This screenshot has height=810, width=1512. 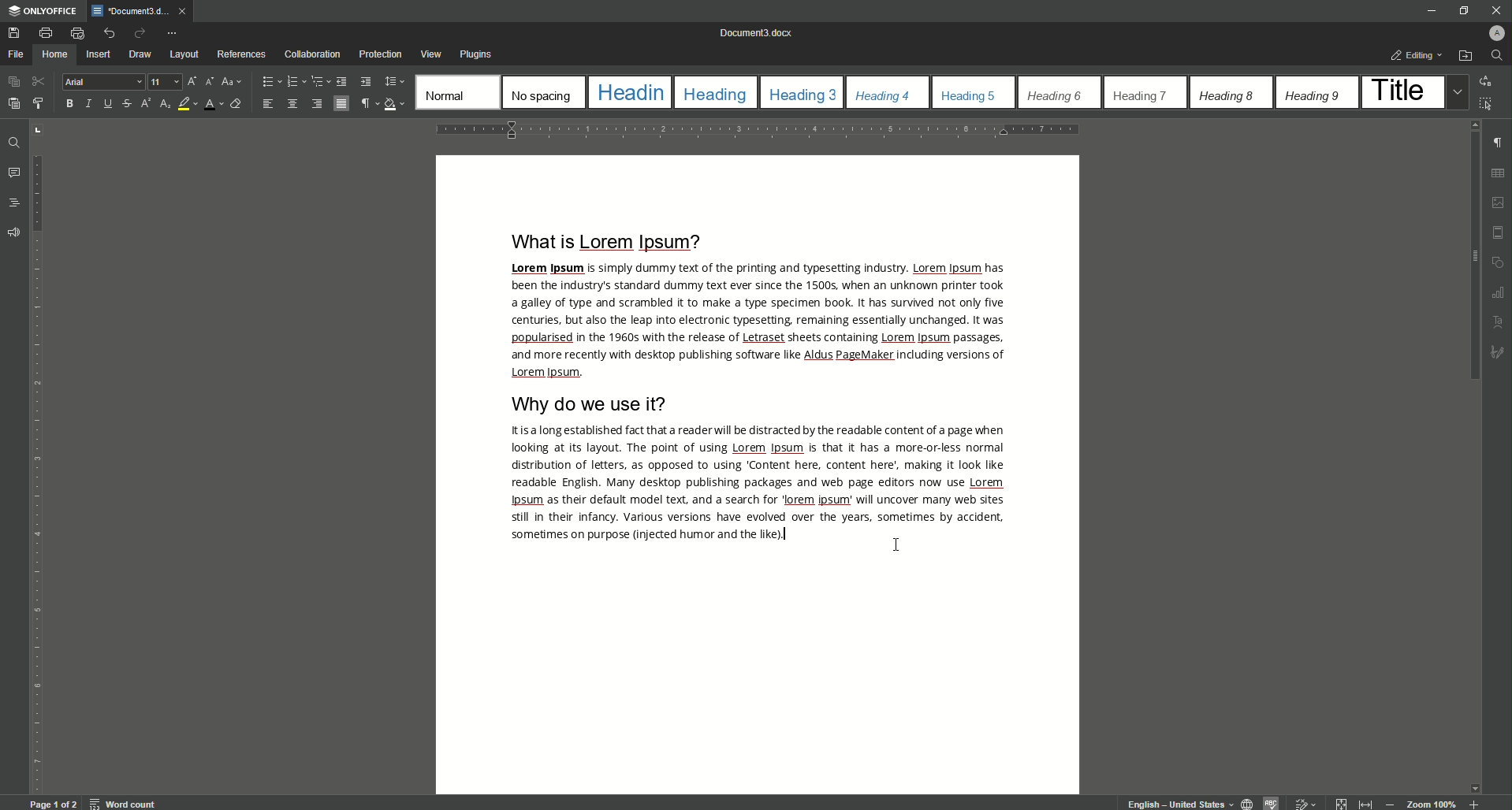 I want to click on sketch, so click(x=1499, y=352).